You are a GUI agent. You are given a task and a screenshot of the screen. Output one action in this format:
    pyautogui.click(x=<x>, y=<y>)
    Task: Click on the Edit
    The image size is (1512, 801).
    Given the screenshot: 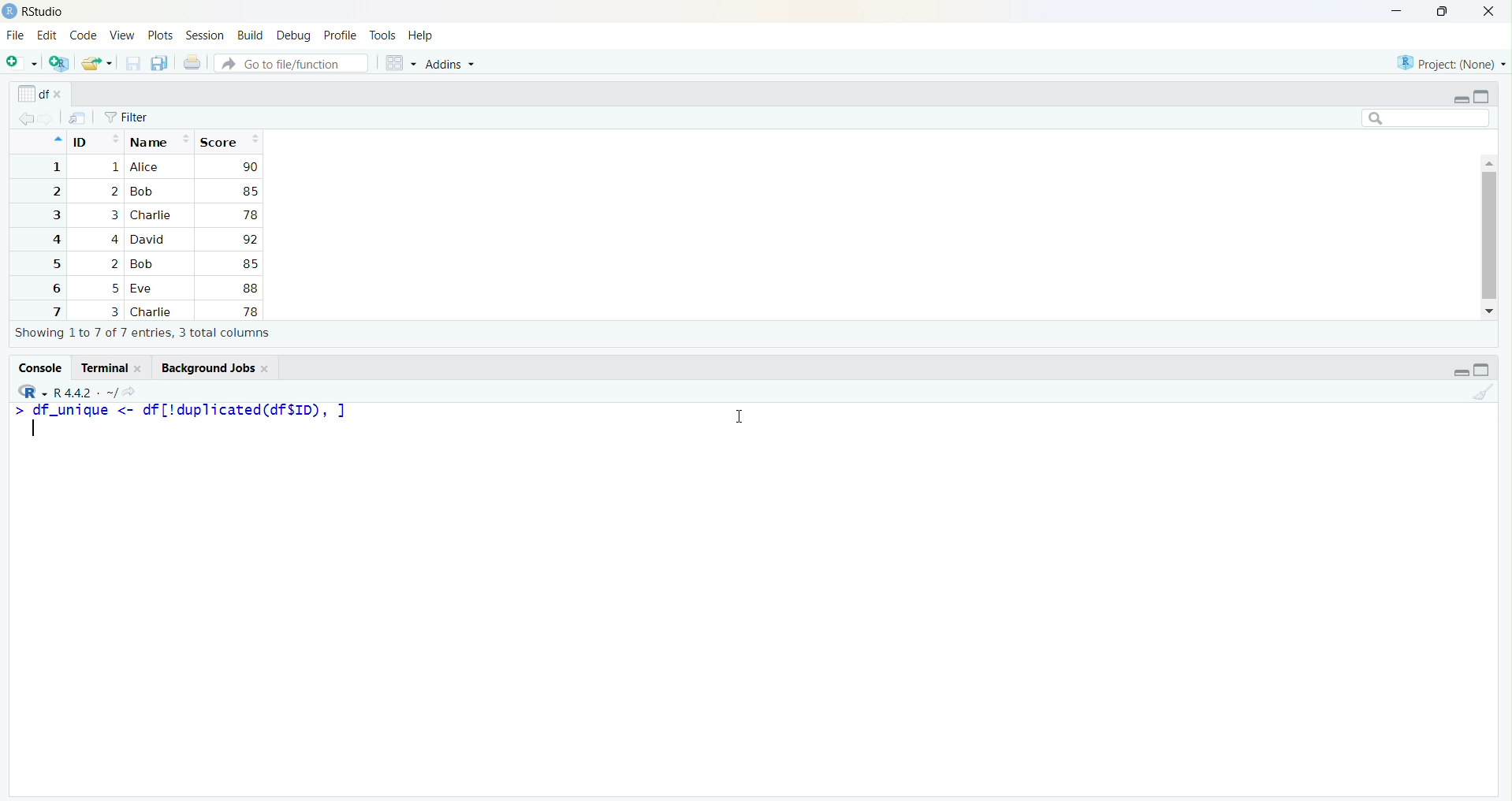 What is the action you would take?
    pyautogui.click(x=47, y=35)
    